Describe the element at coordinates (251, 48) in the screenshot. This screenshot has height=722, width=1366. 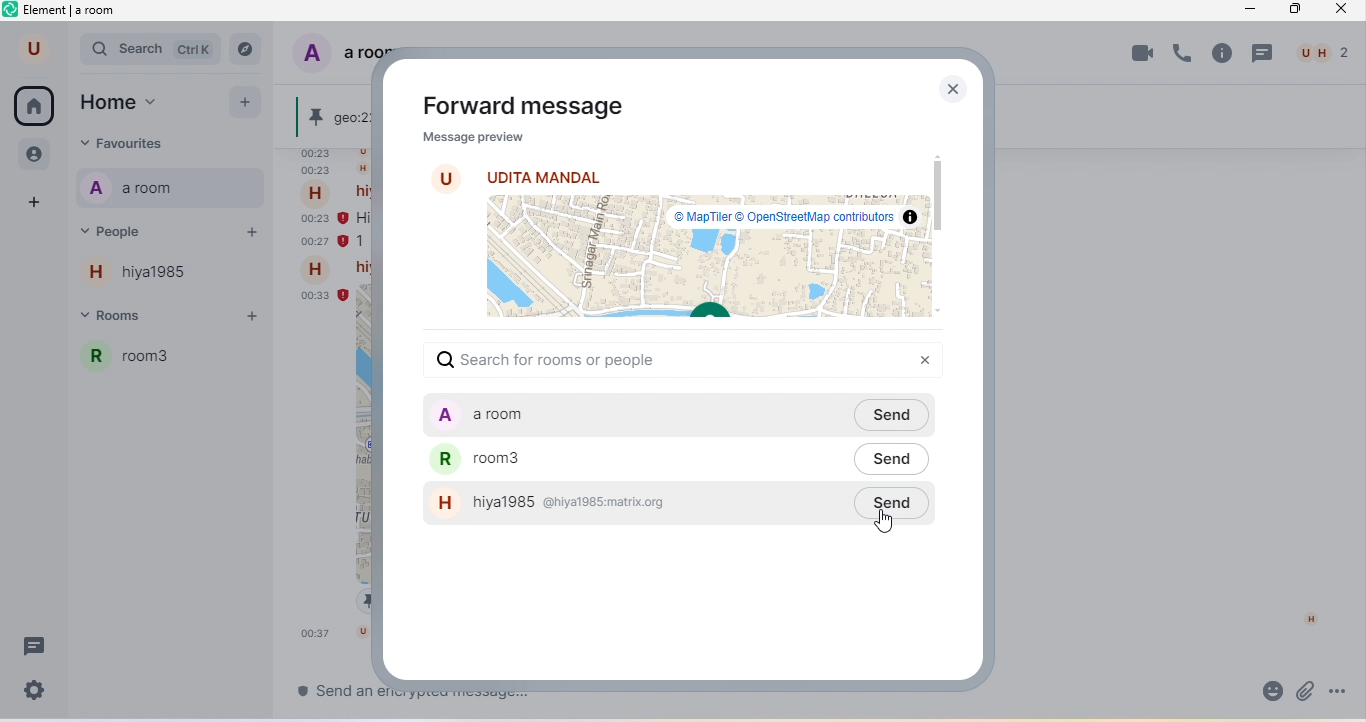
I see `navigator` at that location.